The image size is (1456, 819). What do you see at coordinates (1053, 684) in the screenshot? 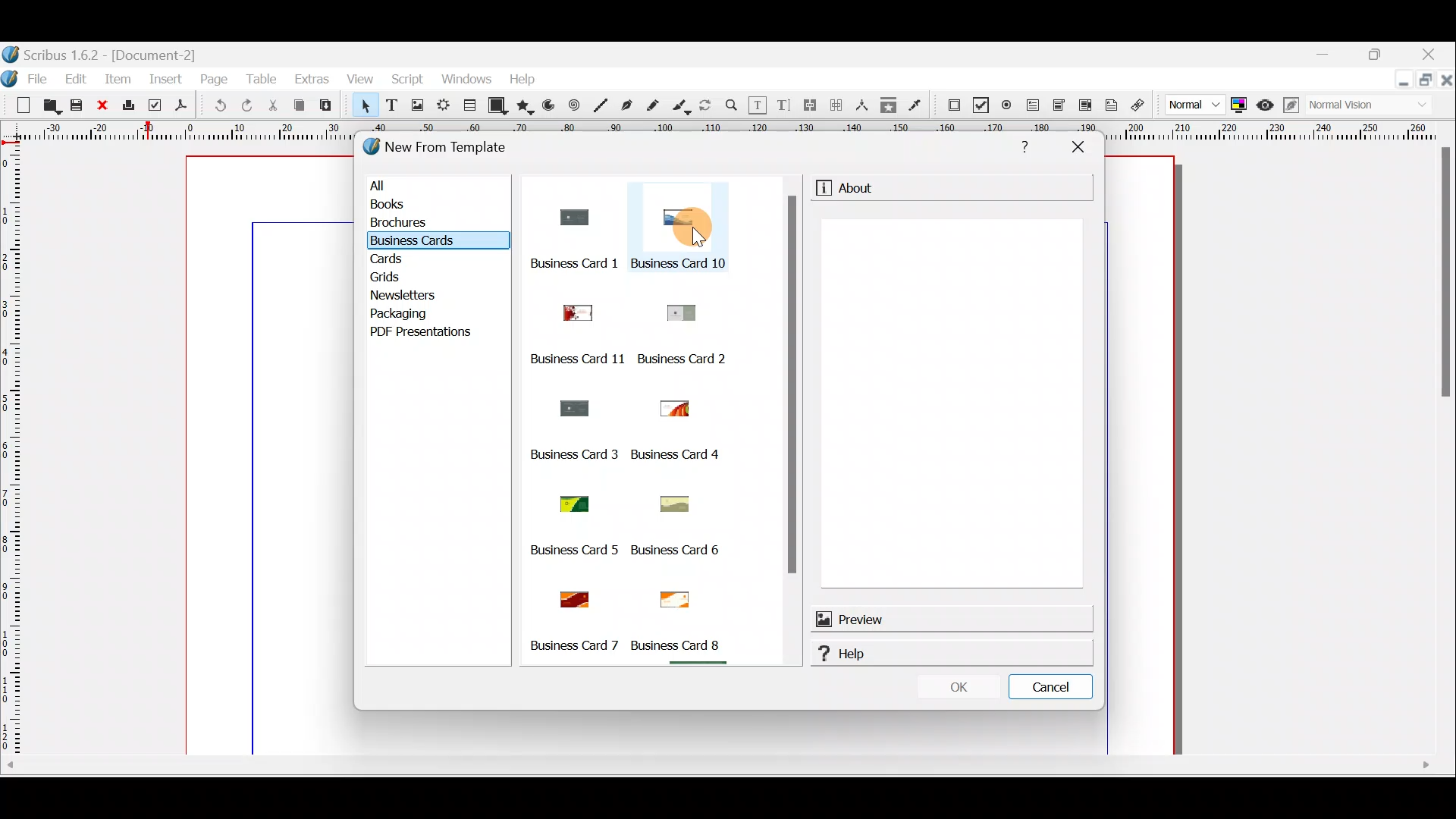
I see `Cancel` at bounding box center [1053, 684].